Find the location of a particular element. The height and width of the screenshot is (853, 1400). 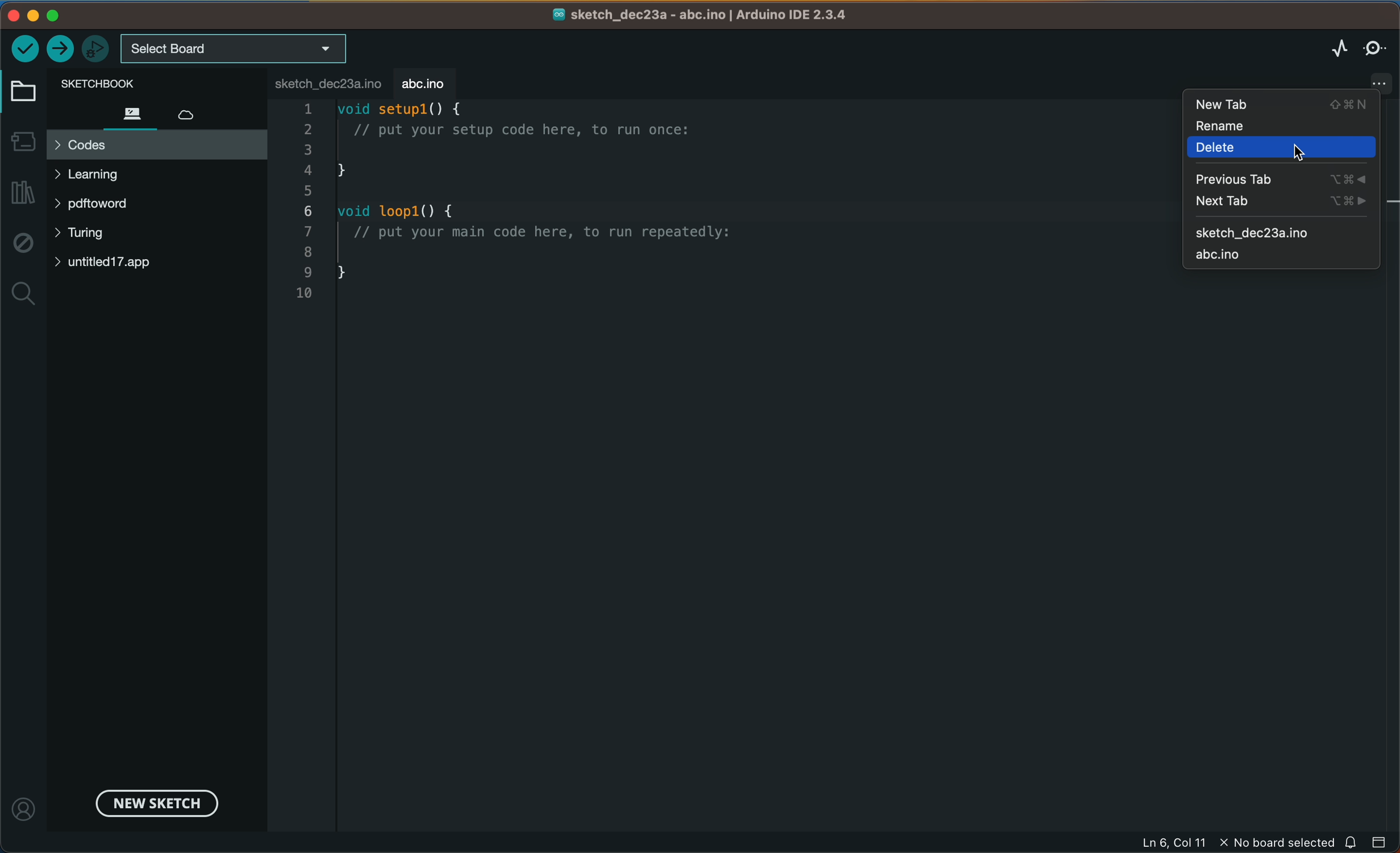

verify is located at coordinates (27, 49).